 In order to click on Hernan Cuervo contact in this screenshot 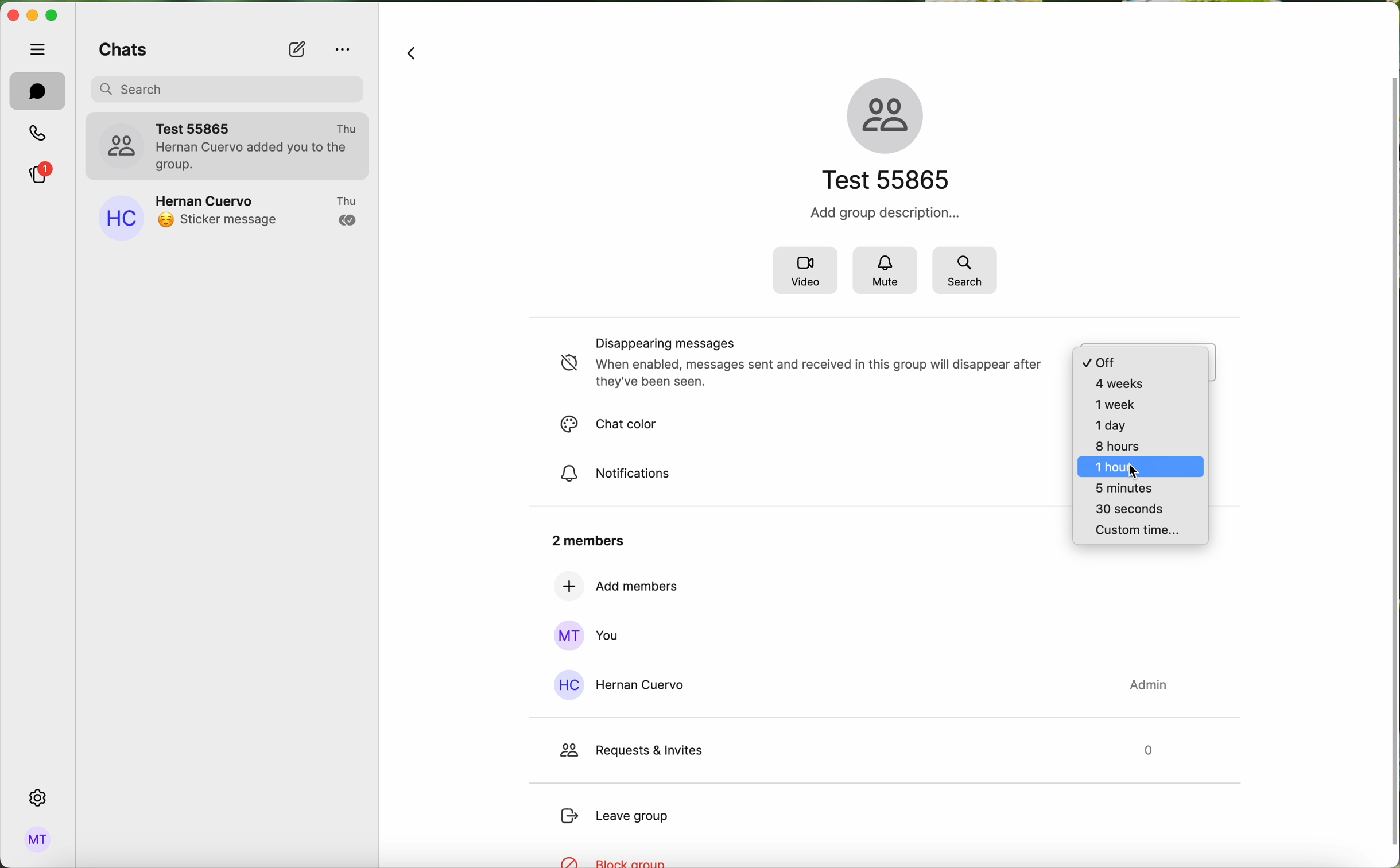, I will do `click(227, 215)`.